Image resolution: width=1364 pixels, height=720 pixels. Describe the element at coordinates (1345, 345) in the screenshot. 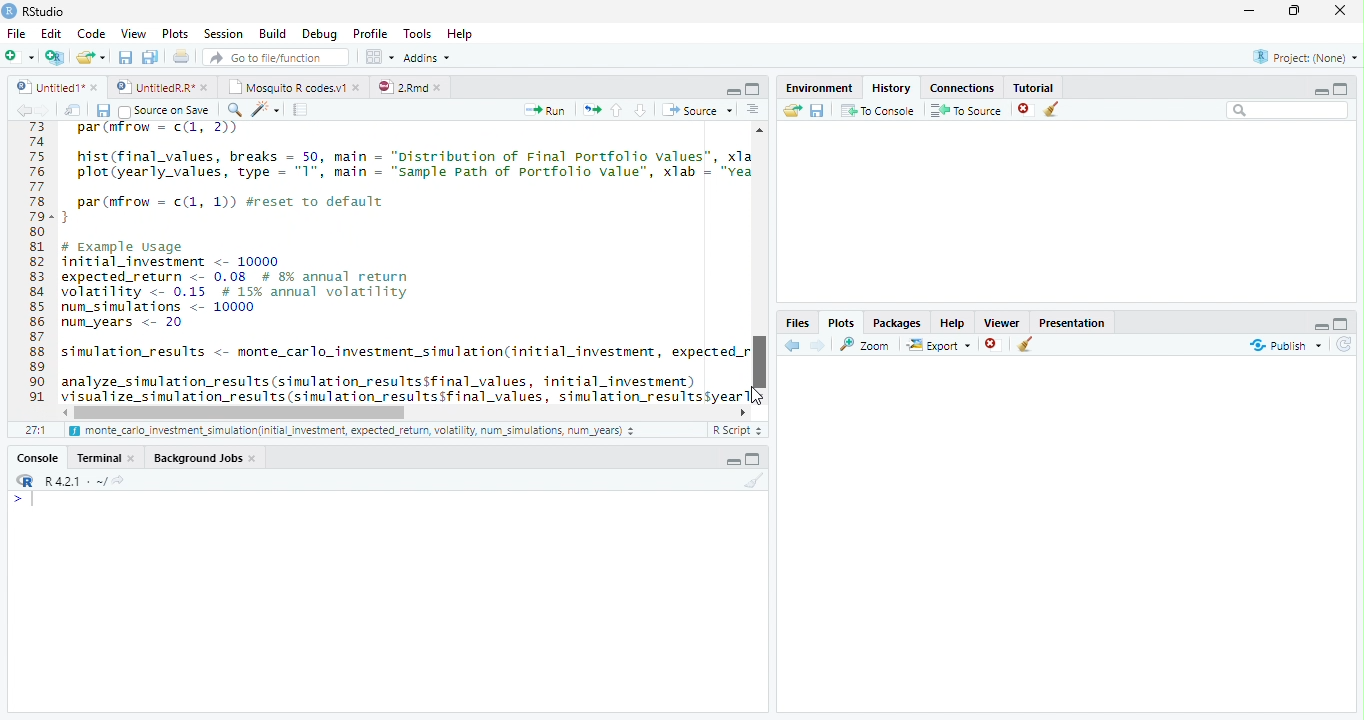

I see `Refresh List` at that location.